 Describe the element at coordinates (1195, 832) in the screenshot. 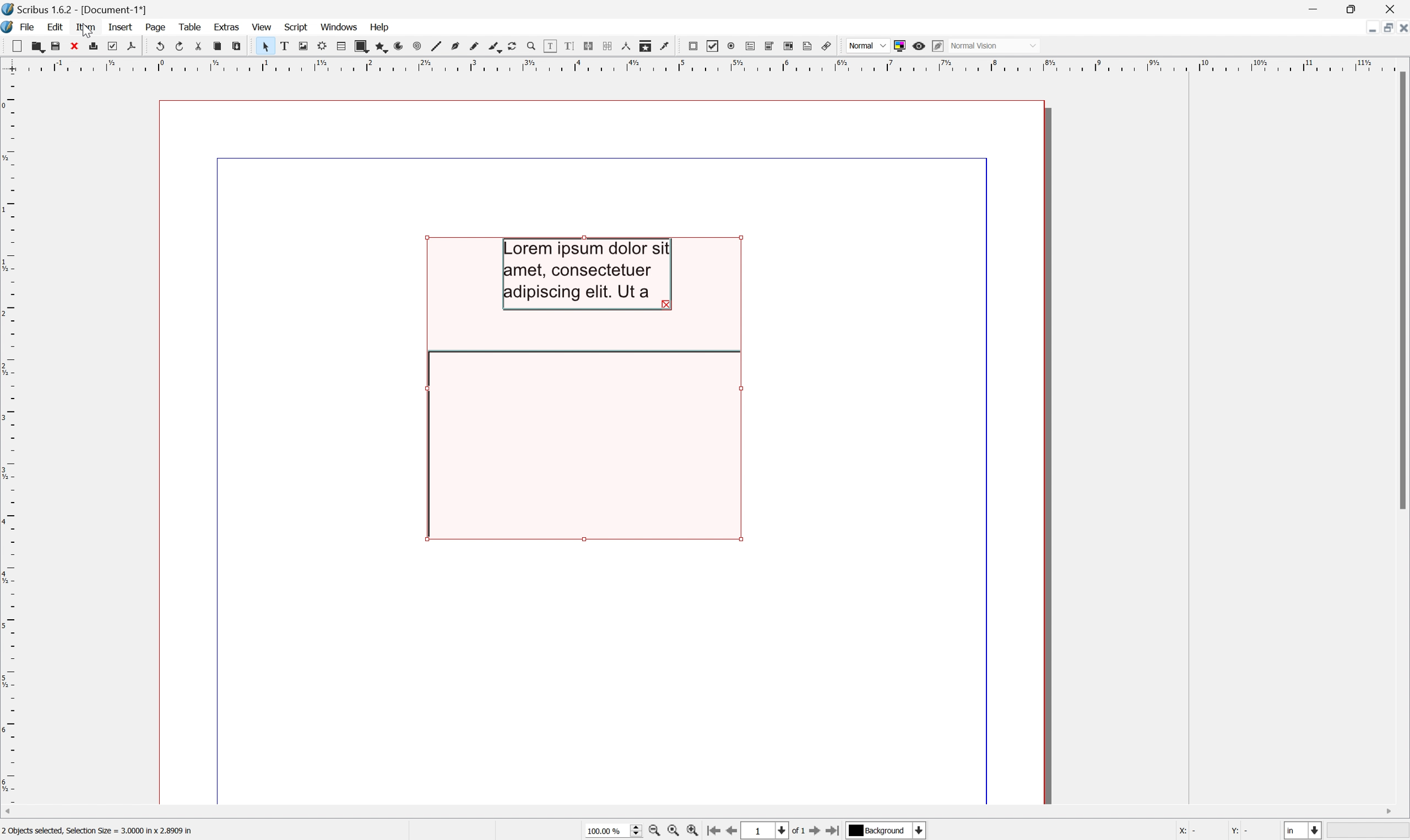

I see `X: 4.0238` at that location.